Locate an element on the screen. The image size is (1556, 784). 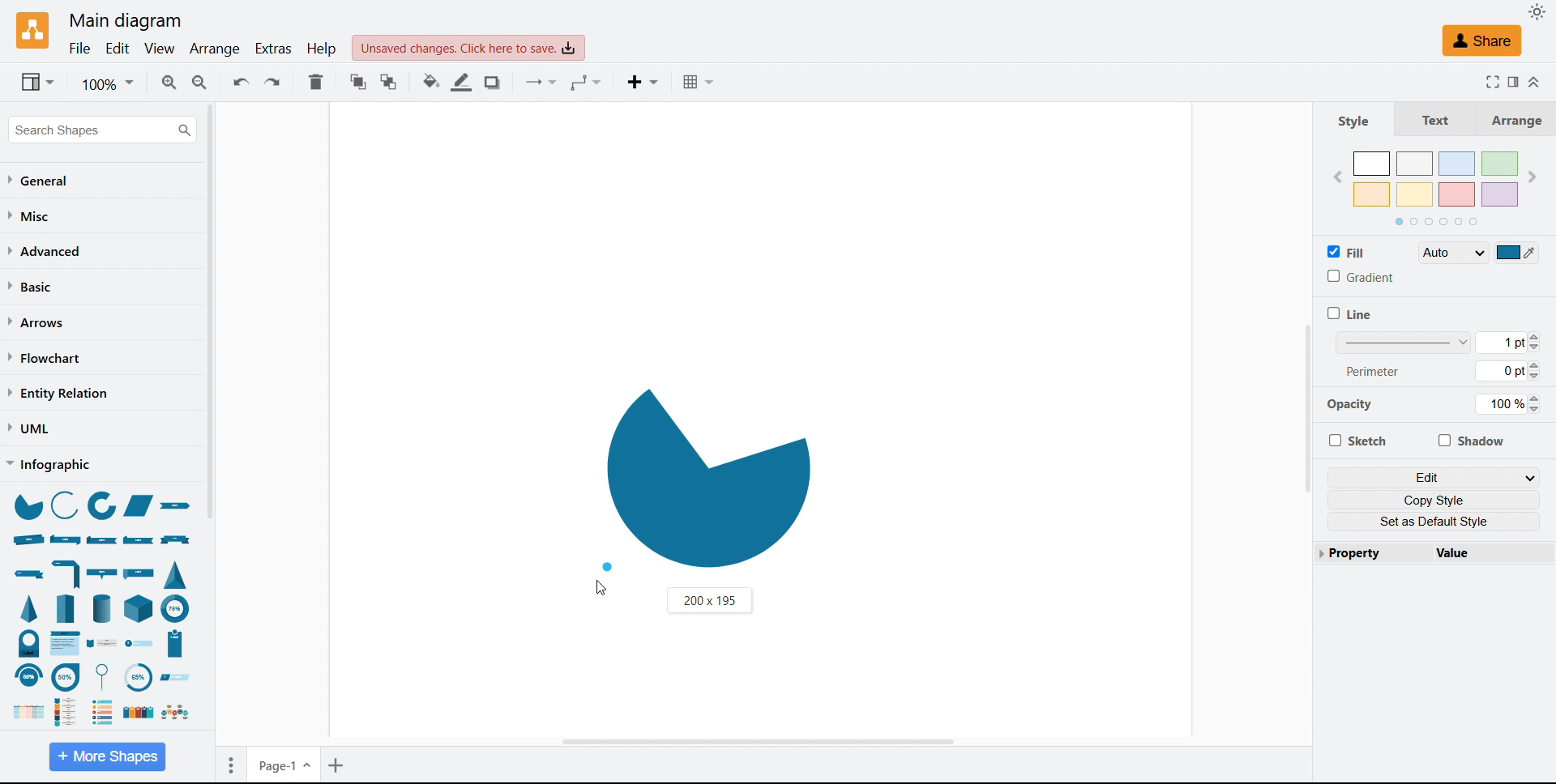
roadmap  horizontal is located at coordinates (174, 713).